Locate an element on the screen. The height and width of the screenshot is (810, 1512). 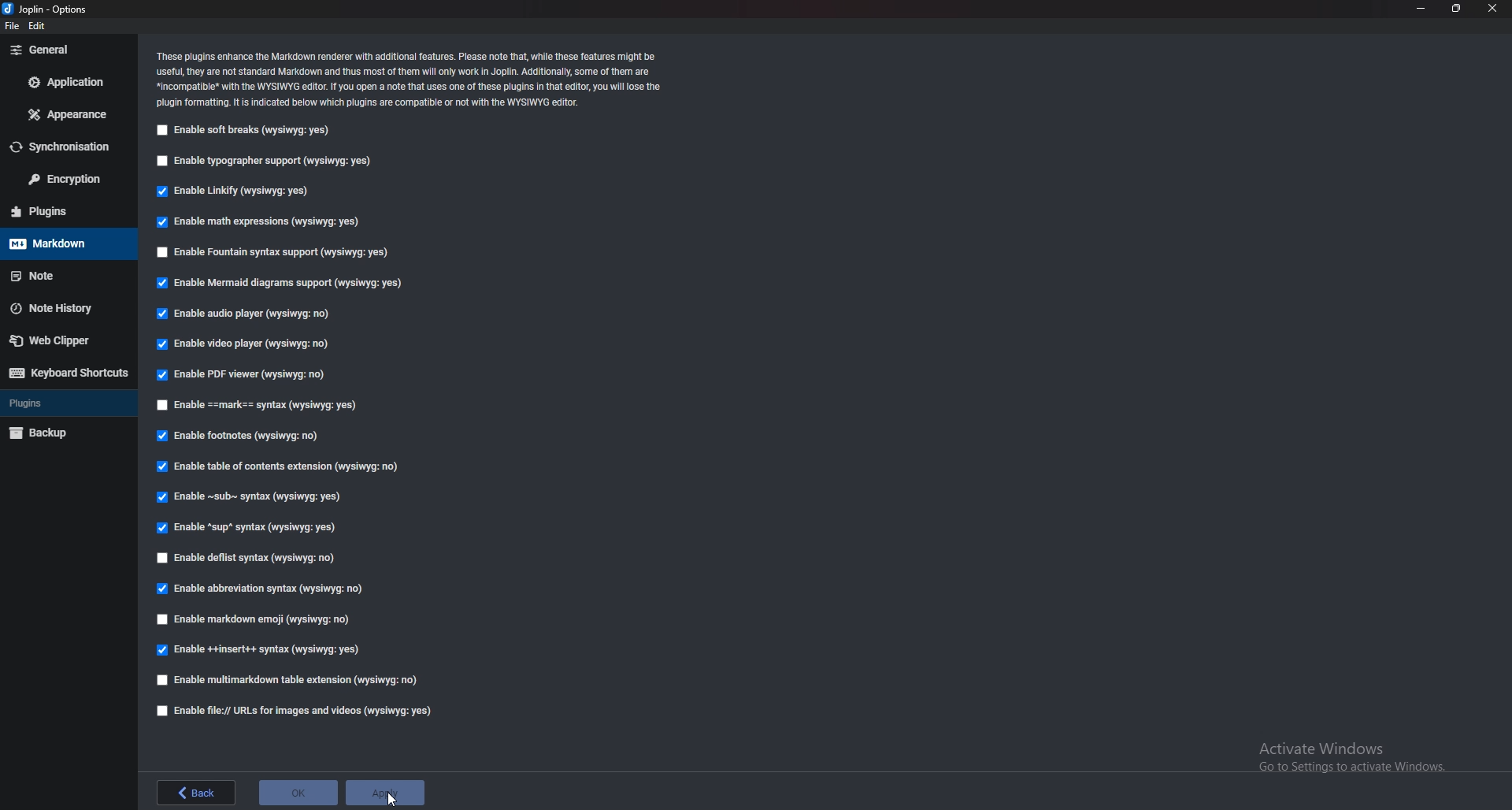
Enable typographer support is located at coordinates (270, 162).